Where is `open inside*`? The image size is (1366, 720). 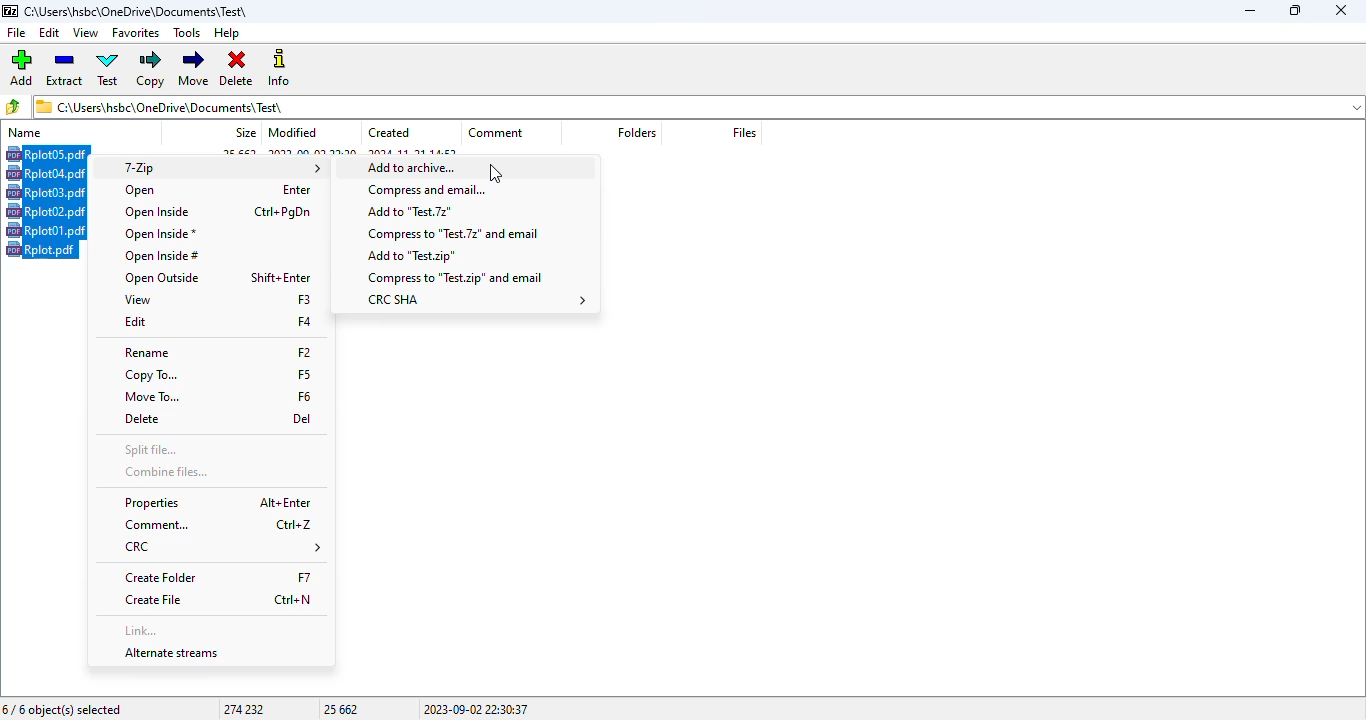
open inside* is located at coordinates (161, 234).